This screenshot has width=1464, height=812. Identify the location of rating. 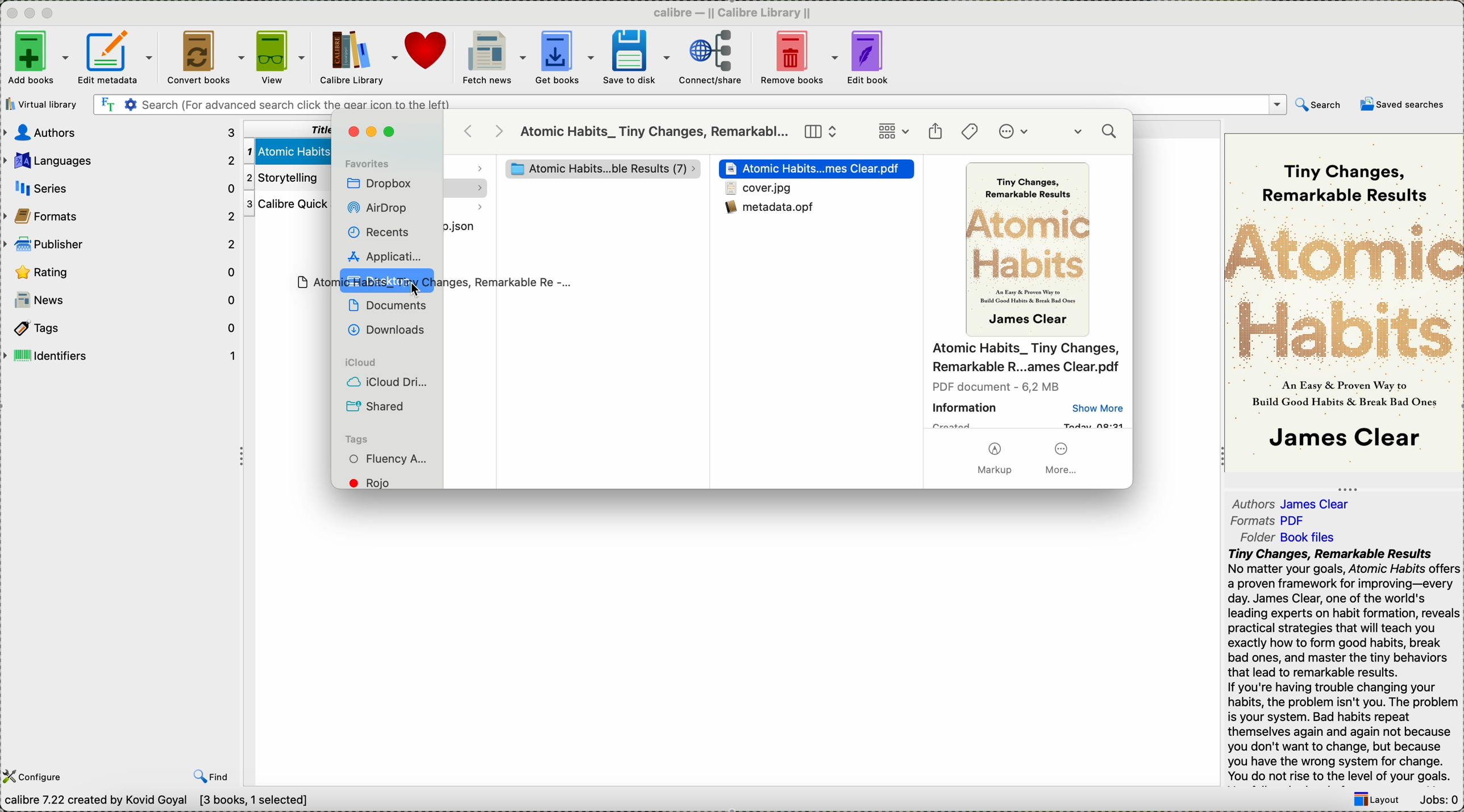
(123, 272).